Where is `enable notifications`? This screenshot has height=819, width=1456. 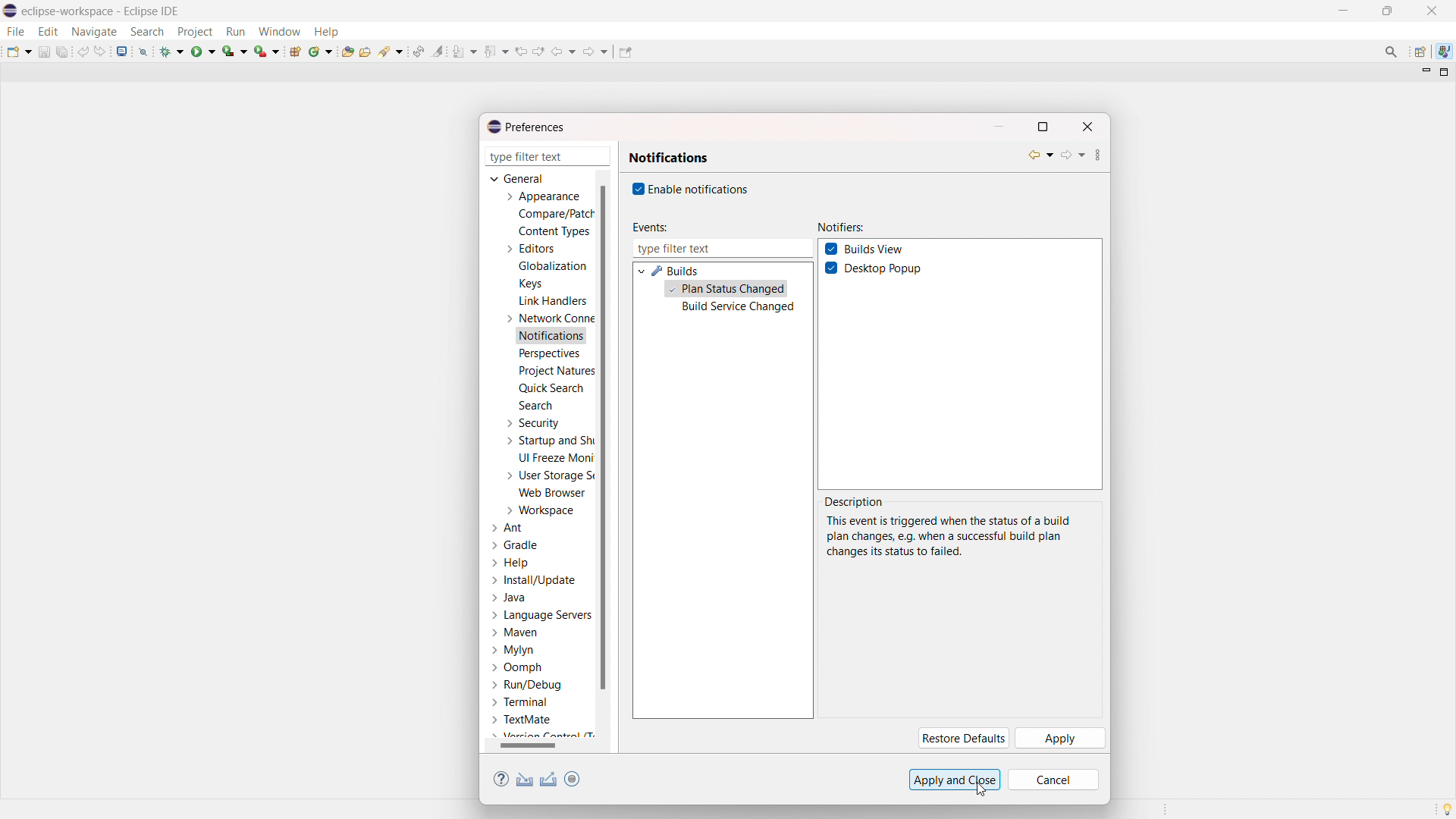
enable notifications is located at coordinates (700, 188).